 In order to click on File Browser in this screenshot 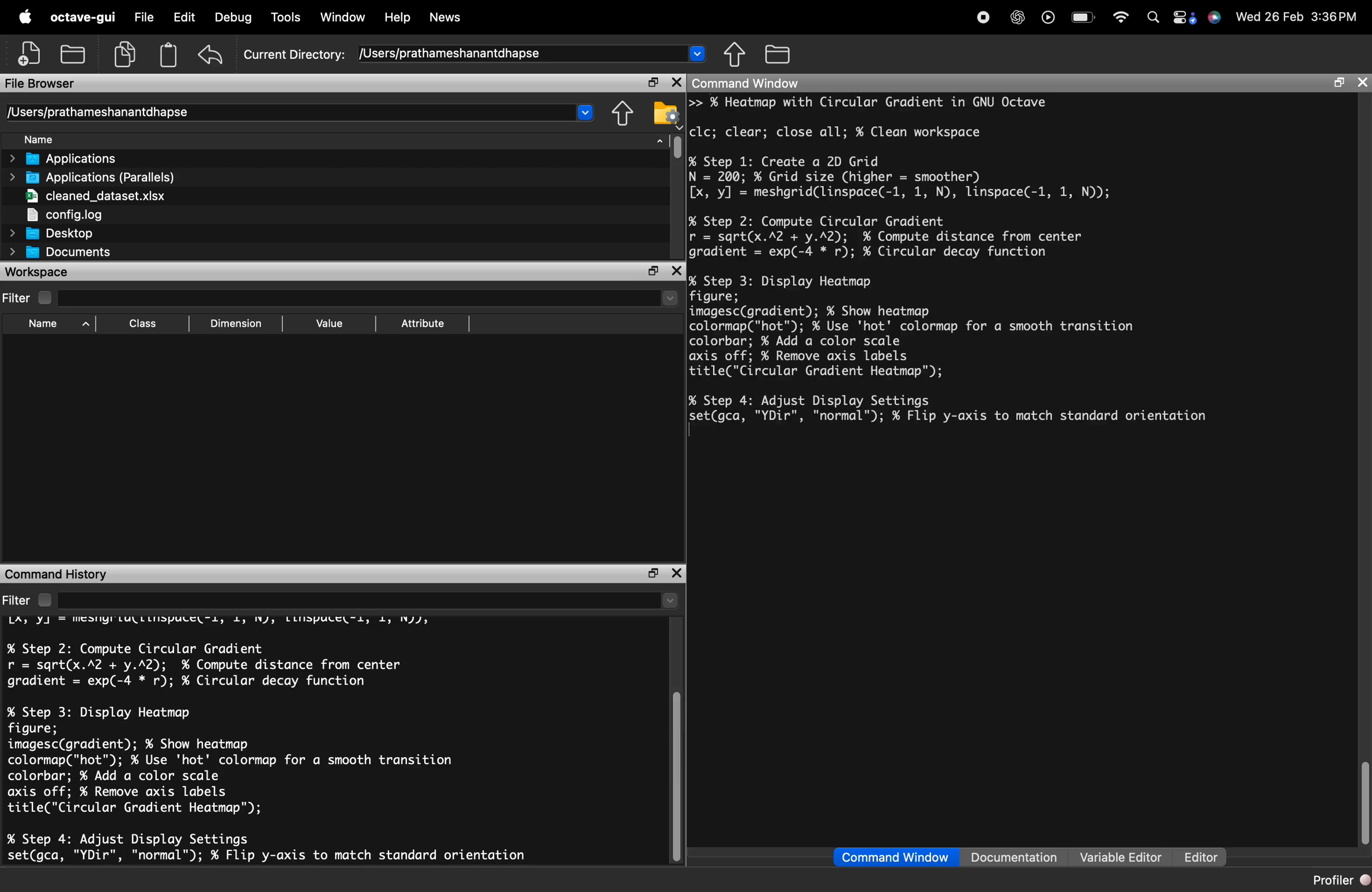, I will do `click(315, 83)`.